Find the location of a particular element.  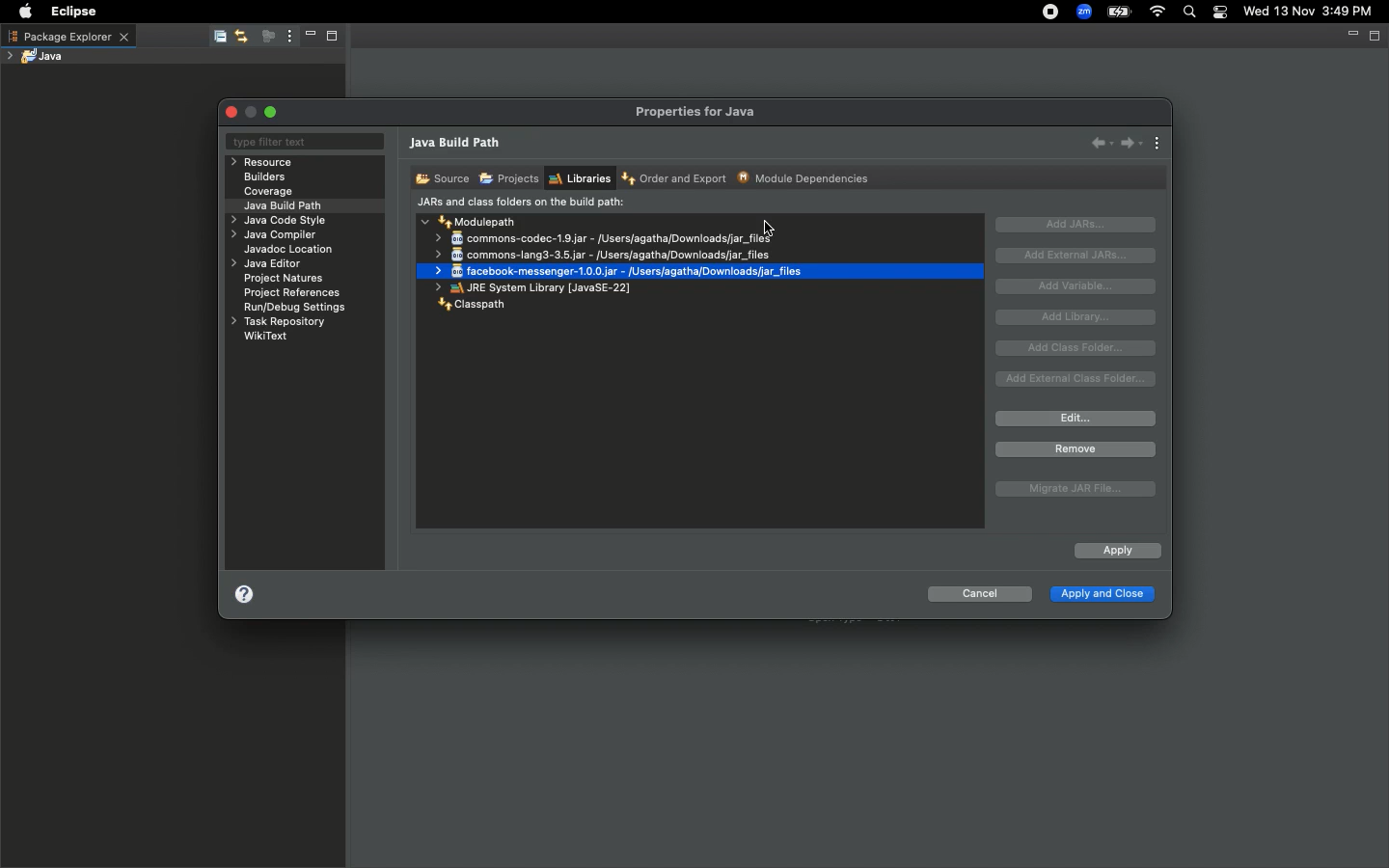

Maximize is located at coordinates (273, 112).